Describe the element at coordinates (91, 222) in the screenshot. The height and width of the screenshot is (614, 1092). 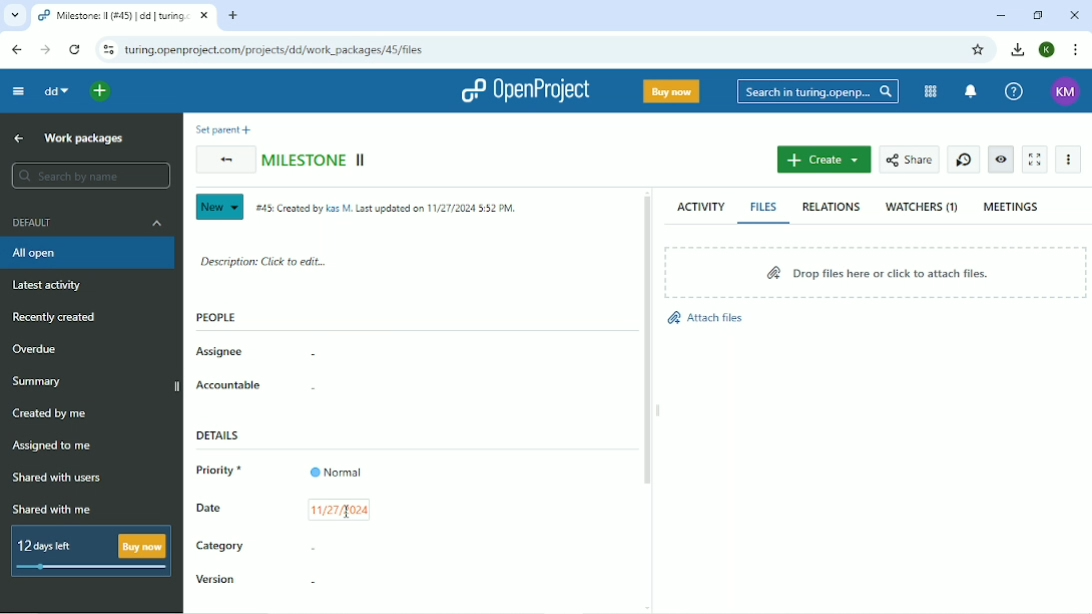
I see `Default` at that location.